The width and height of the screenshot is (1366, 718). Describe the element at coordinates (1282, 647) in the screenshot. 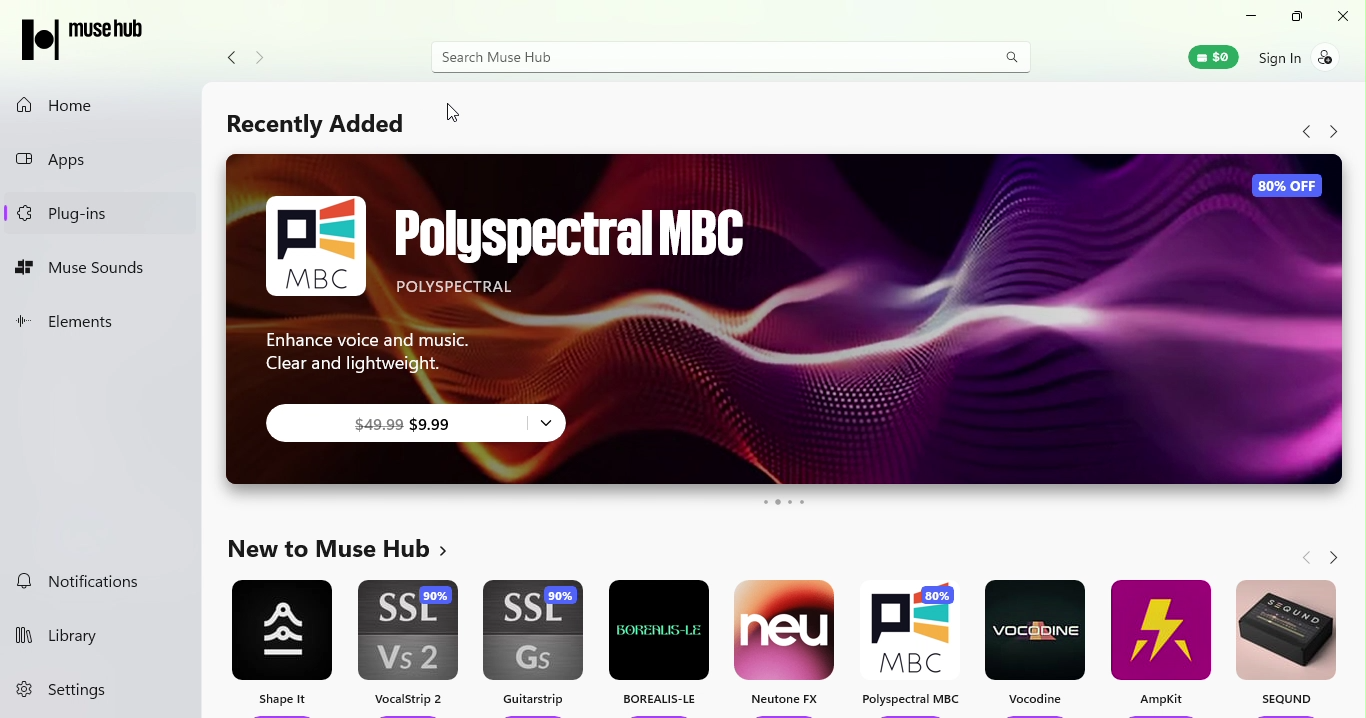

I see `SEQUND` at that location.